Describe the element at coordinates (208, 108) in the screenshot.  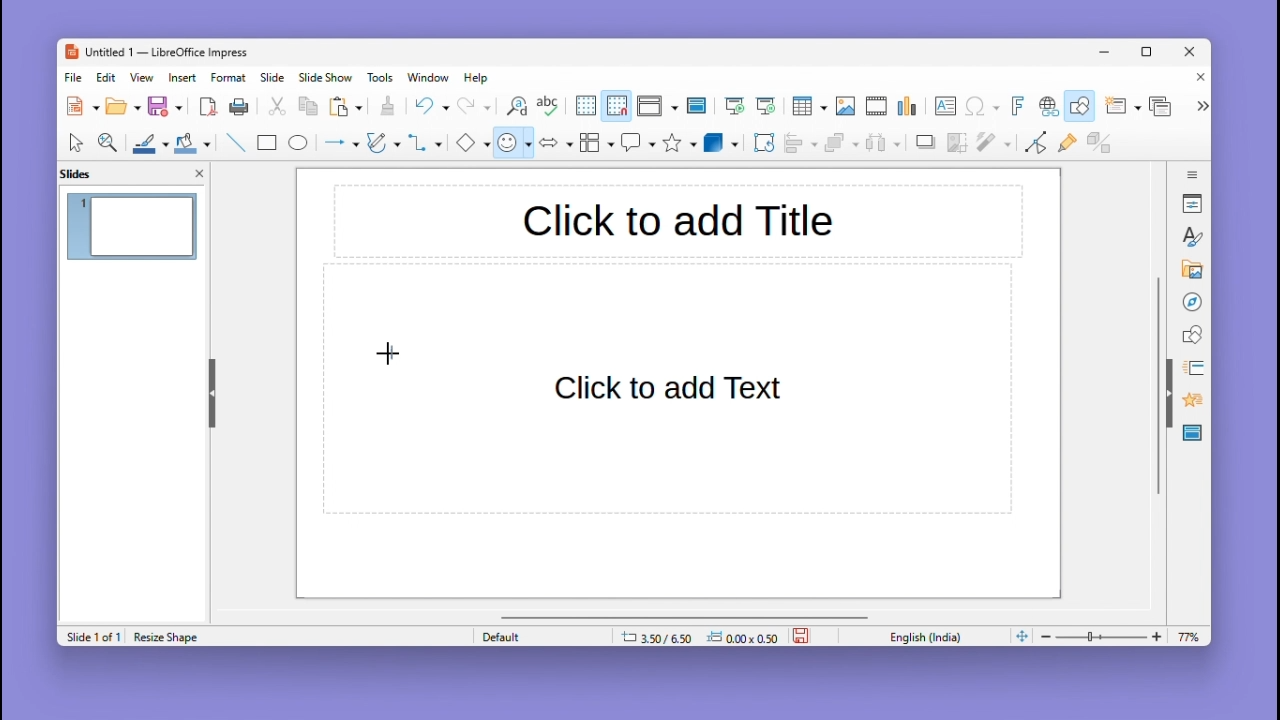
I see `Export as PDF` at that location.